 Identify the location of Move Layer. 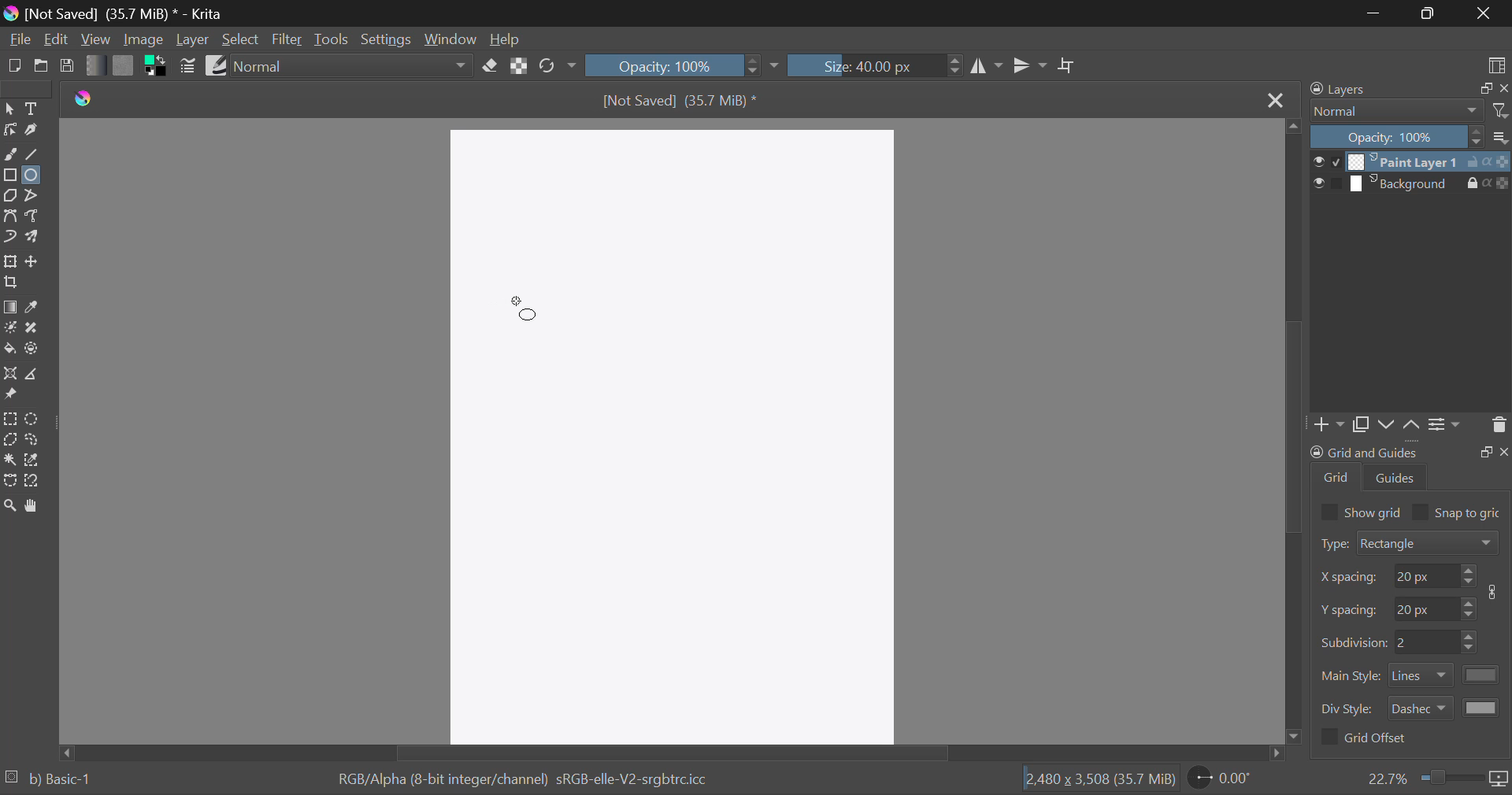
(34, 262).